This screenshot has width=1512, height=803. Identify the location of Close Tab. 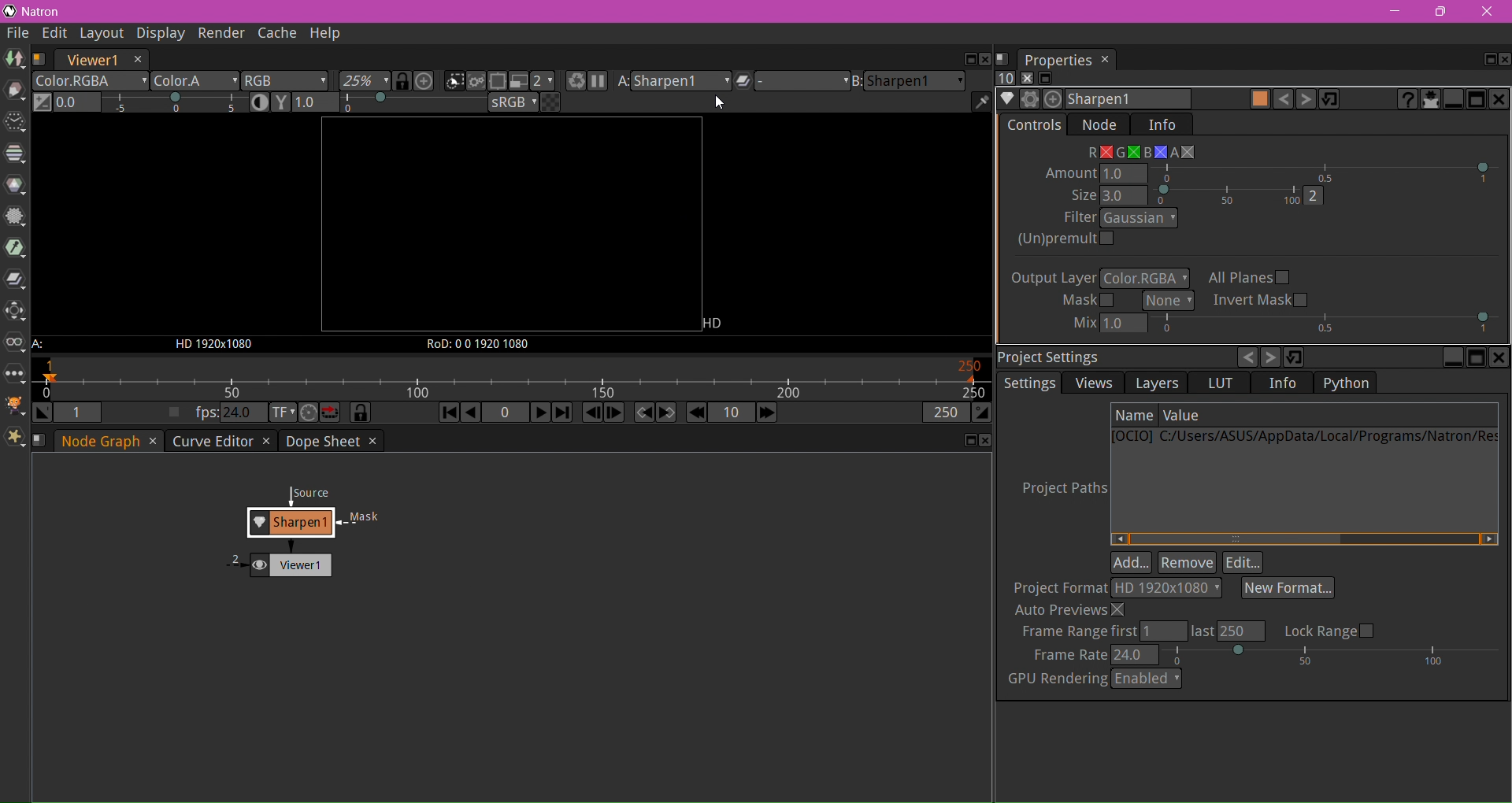
(265, 442).